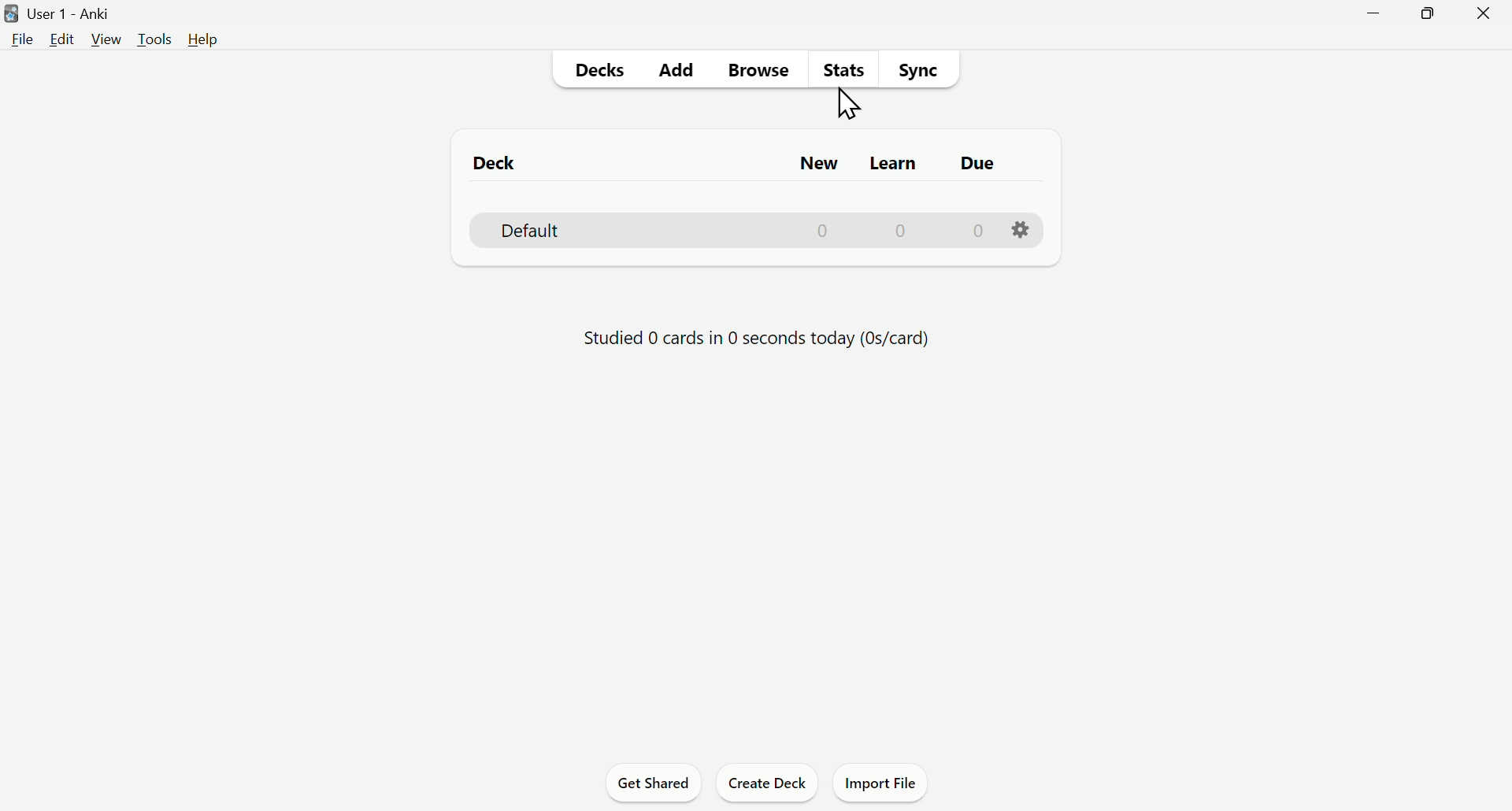 The image size is (1512, 811). What do you see at coordinates (977, 230) in the screenshot?
I see `0` at bounding box center [977, 230].